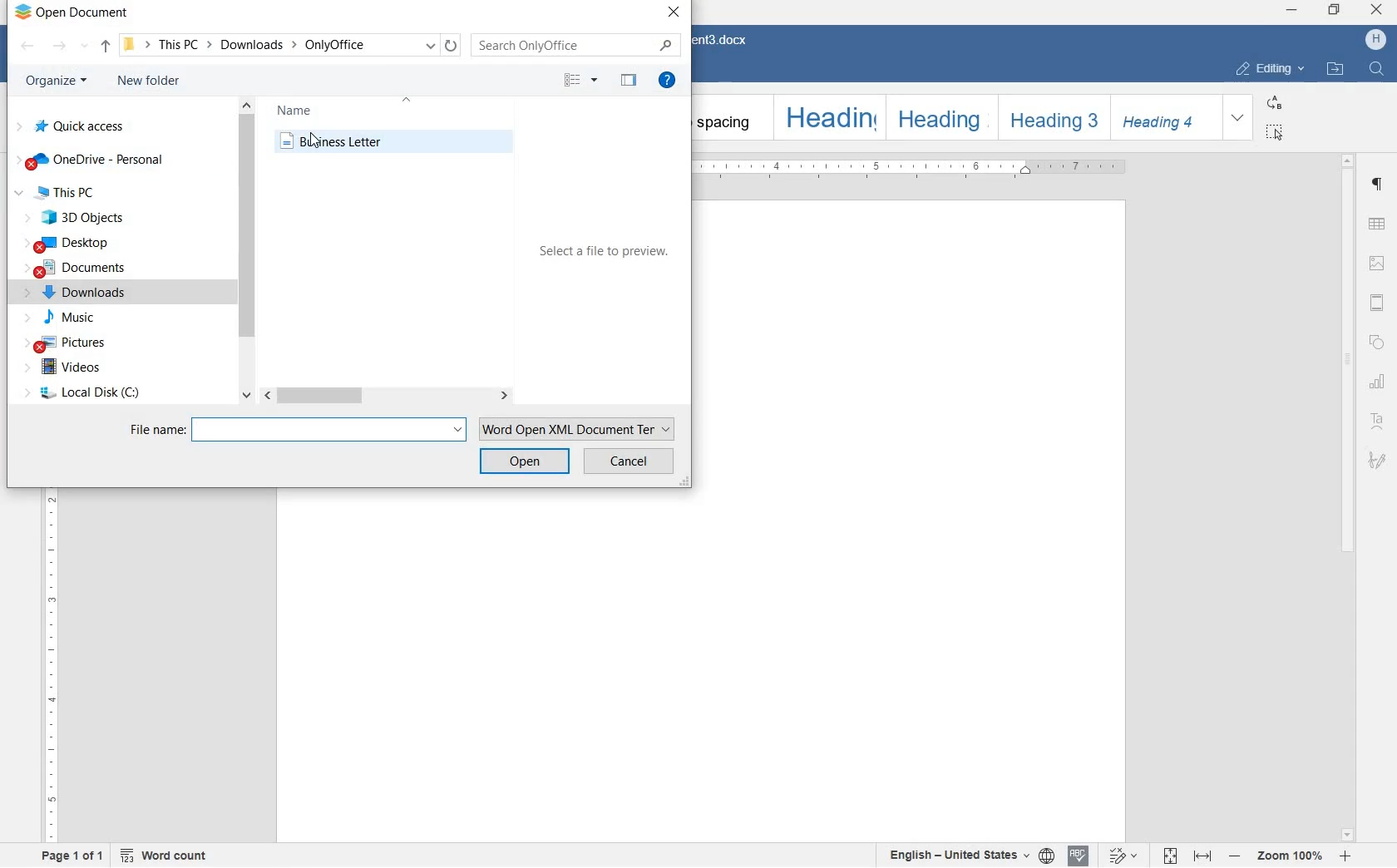 The height and width of the screenshot is (868, 1397). Describe the element at coordinates (405, 141) in the screenshot. I see `file name` at that location.